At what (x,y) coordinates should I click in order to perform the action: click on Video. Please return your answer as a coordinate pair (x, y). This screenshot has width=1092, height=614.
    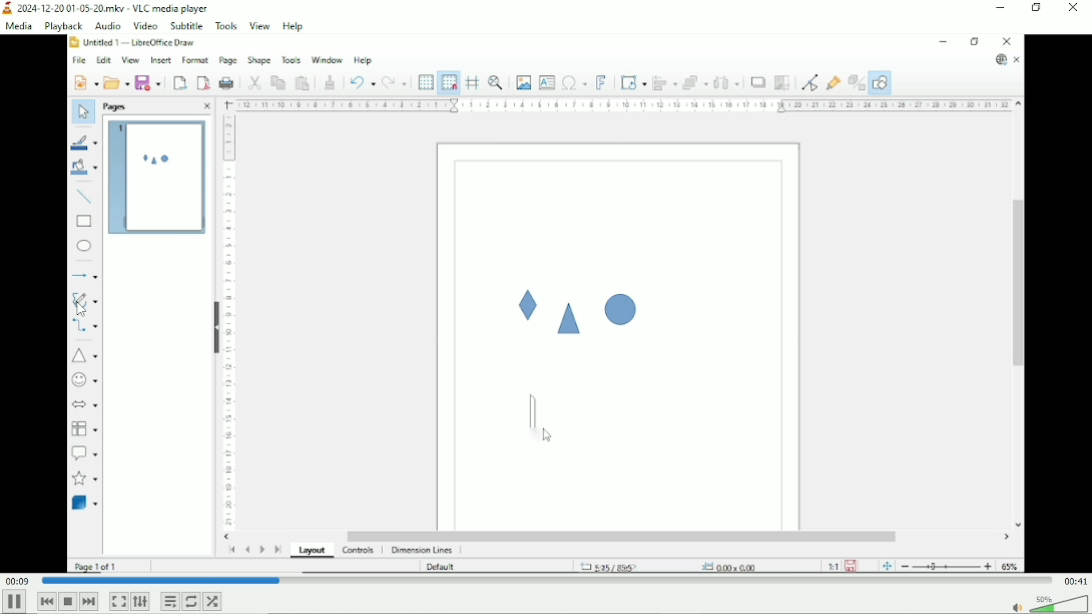
    Looking at the image, I should click on (144, 26).